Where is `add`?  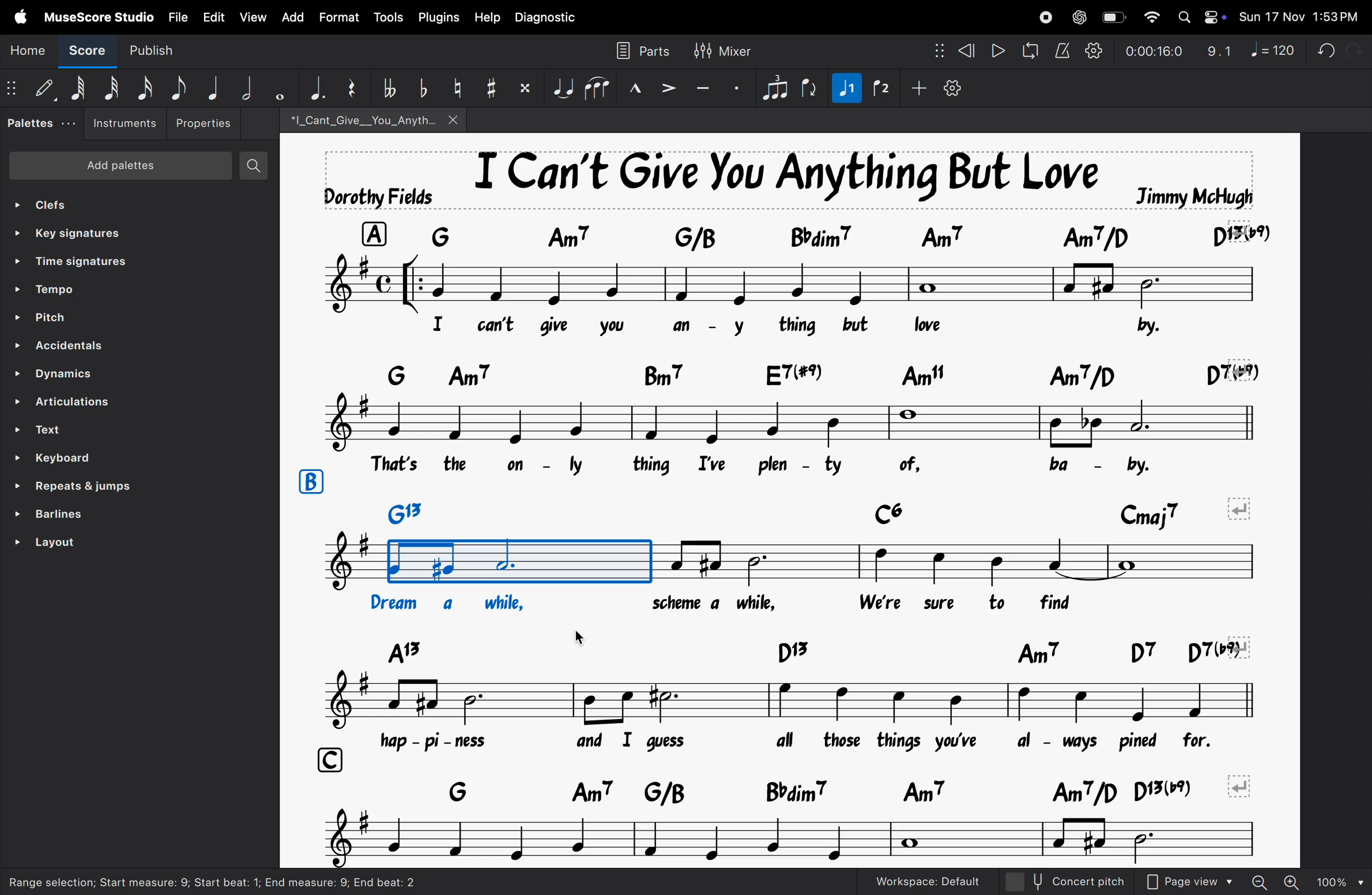 add is located at coordinates (292, 18).